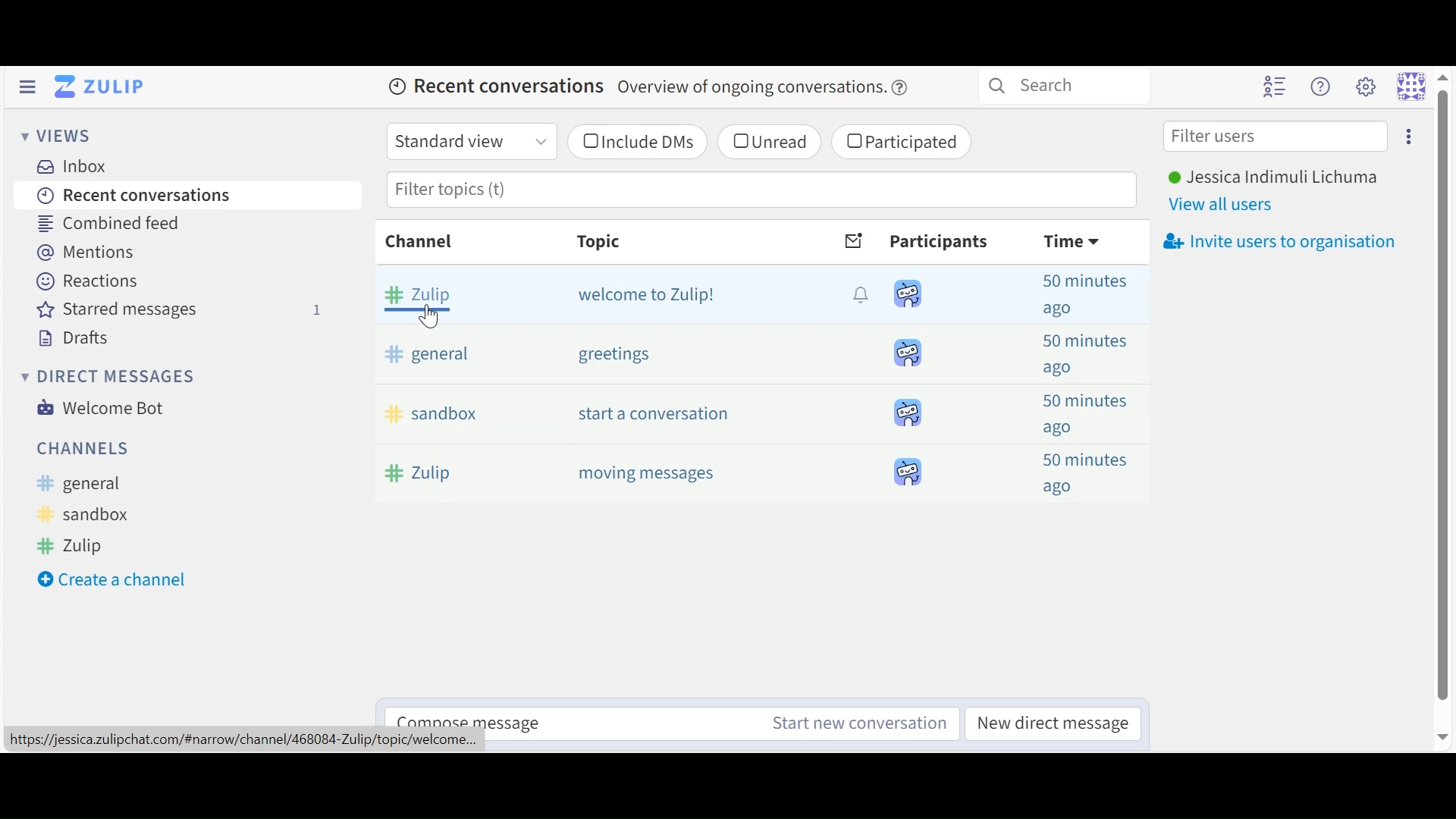  Describe the element at coordinates (80, 484) in the screenshot. I see `General` at that location.